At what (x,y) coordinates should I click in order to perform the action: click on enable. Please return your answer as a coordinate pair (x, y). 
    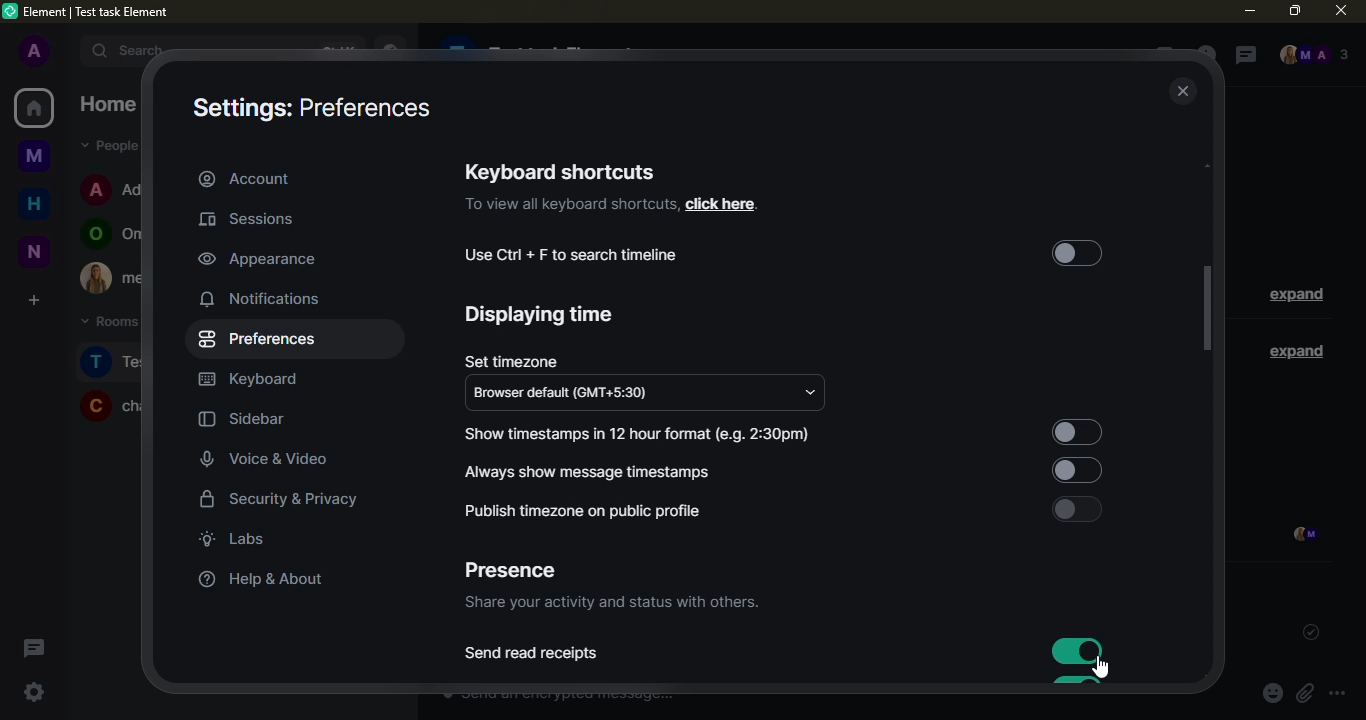
    Looking at the image, I should click on (1073, 469).